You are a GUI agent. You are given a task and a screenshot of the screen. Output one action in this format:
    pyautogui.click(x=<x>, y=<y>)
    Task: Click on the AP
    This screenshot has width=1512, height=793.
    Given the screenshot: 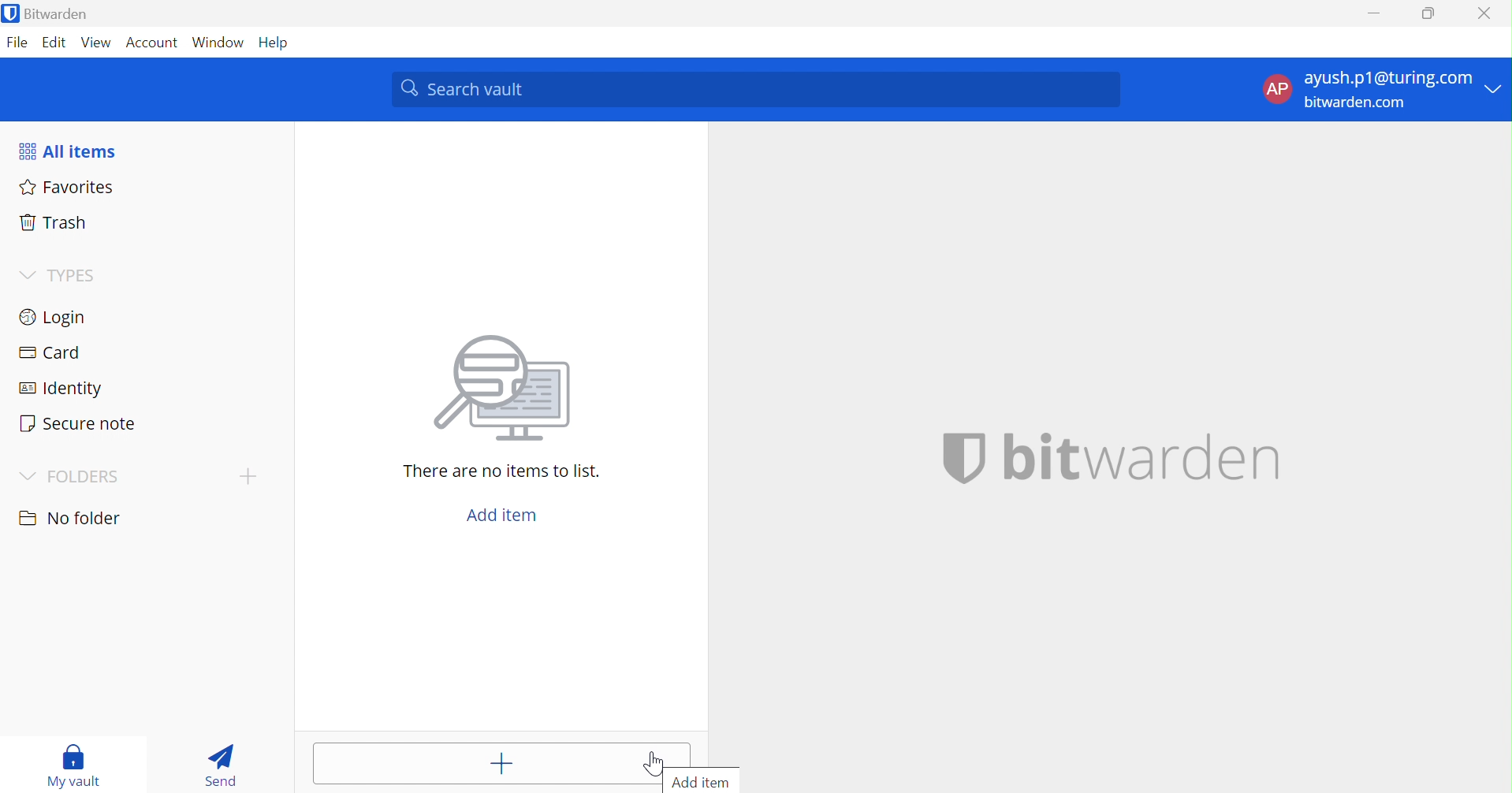 What is the action you would take?
    pyautogui.click(x=1277, y=89)
    